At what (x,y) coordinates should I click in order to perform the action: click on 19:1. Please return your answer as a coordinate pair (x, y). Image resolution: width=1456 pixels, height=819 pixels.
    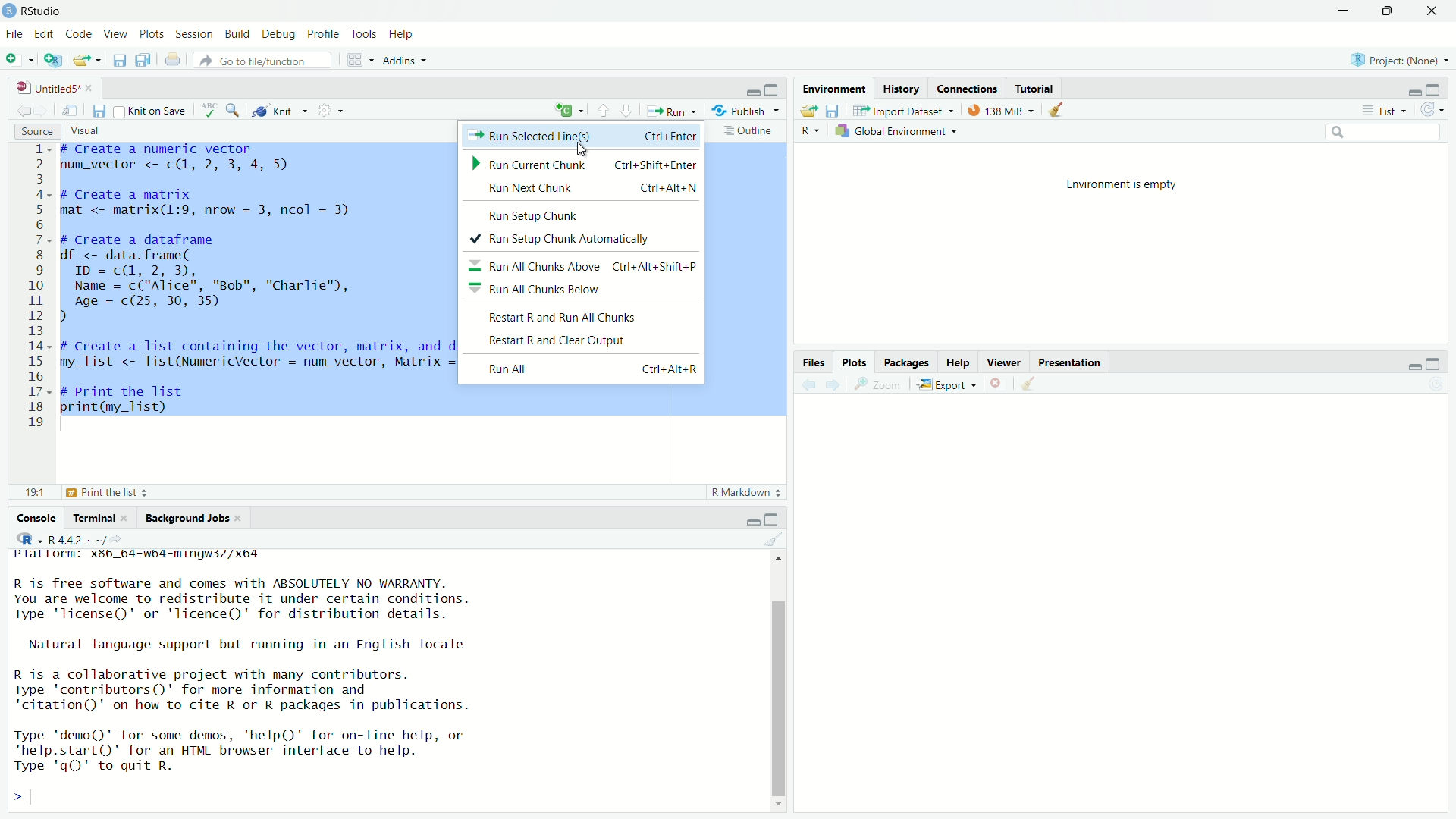
    Looking at the image, I should click on (36, 493).